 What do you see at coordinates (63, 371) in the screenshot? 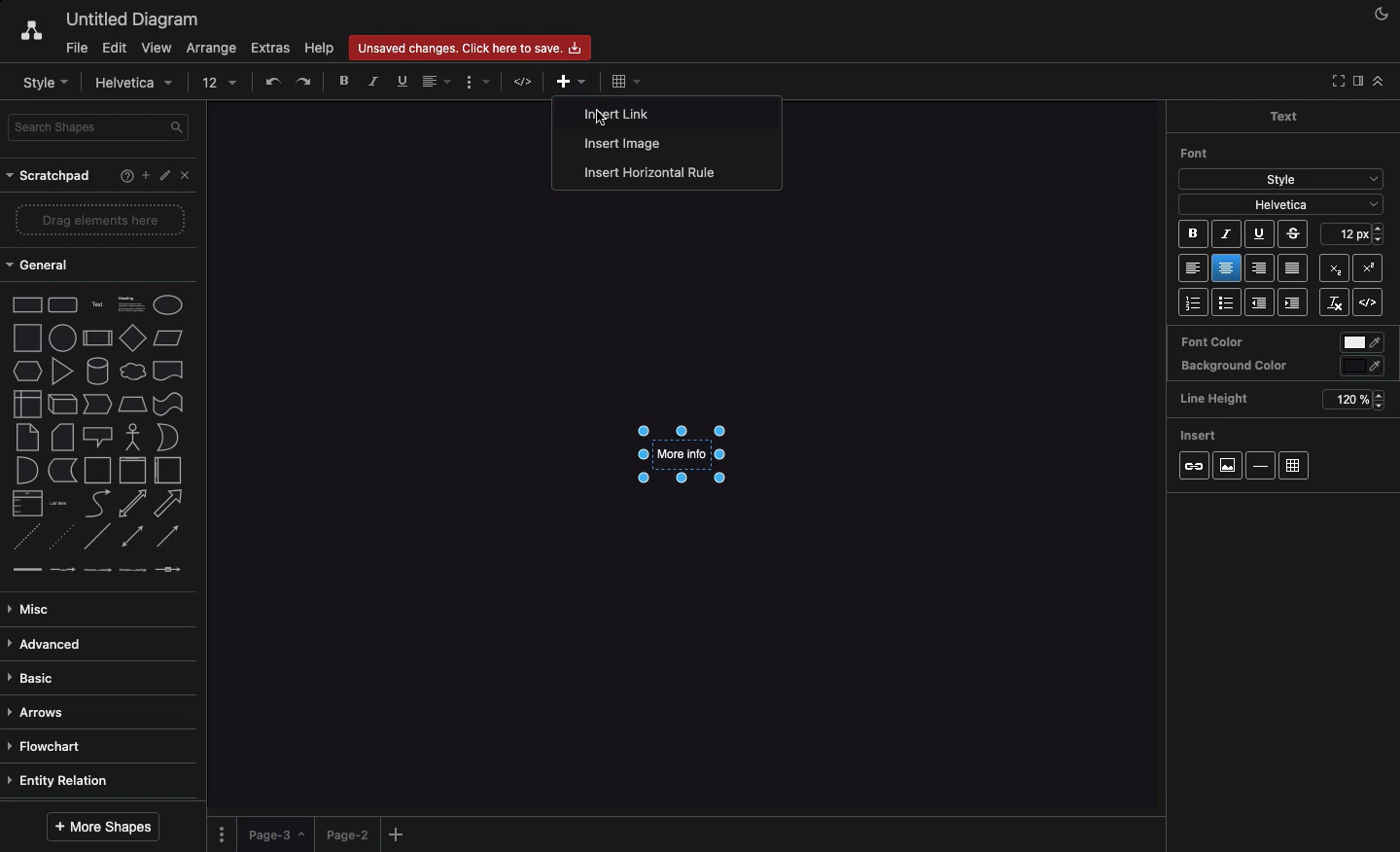
I see `triangle` at bounding box center [63, 371].